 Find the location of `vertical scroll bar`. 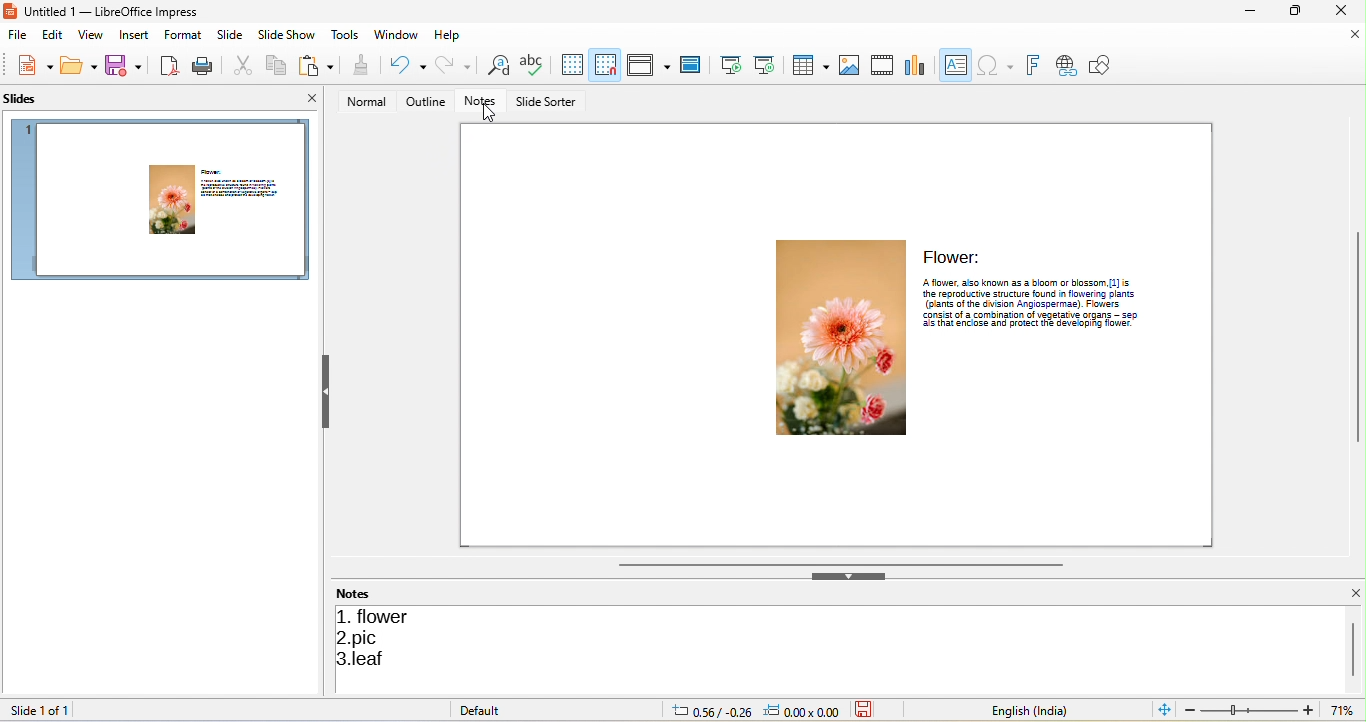

vertical scroll bar is located at coordinates (1357, 337).